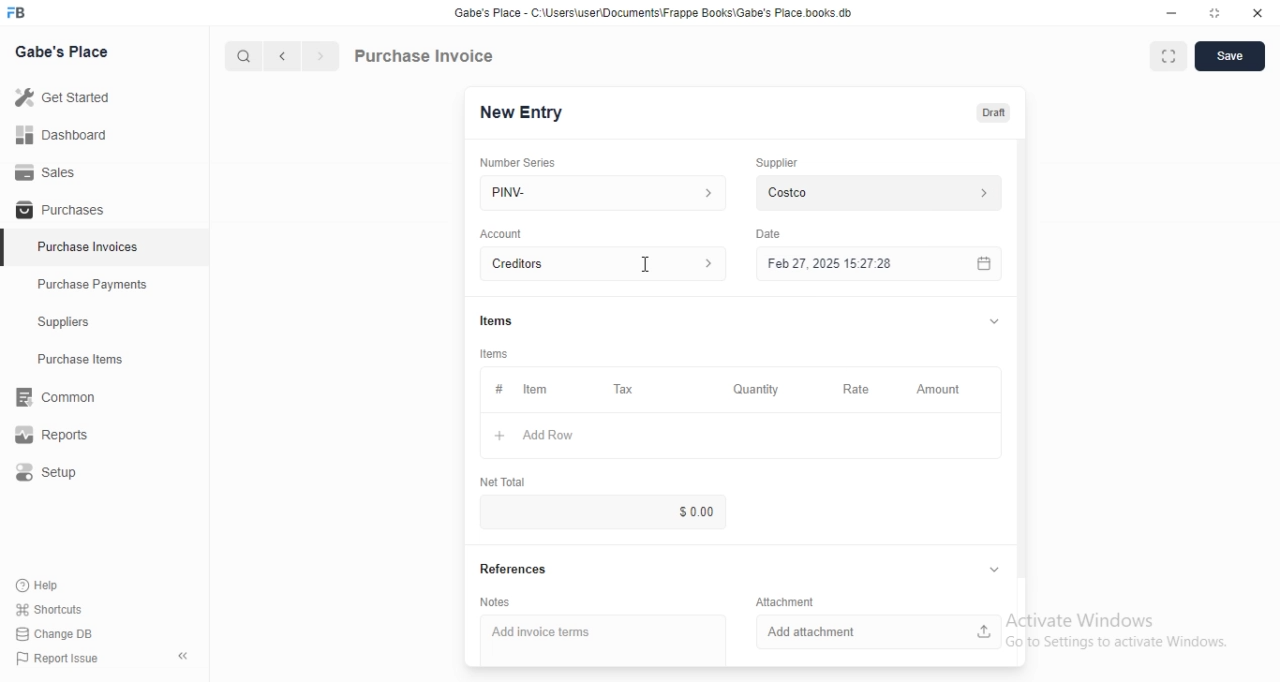  I want to click on Report Issue, so click(58, 658).